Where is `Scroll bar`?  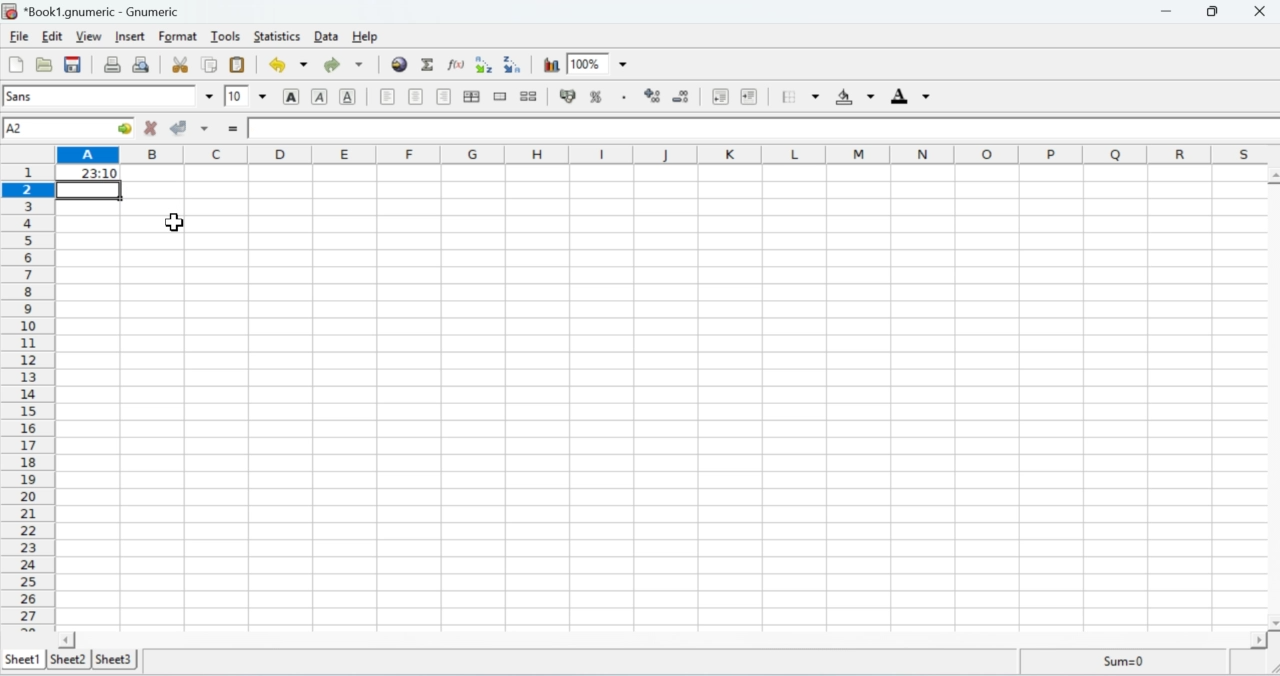 Scroll bar is located at coordinates (1267, 397).